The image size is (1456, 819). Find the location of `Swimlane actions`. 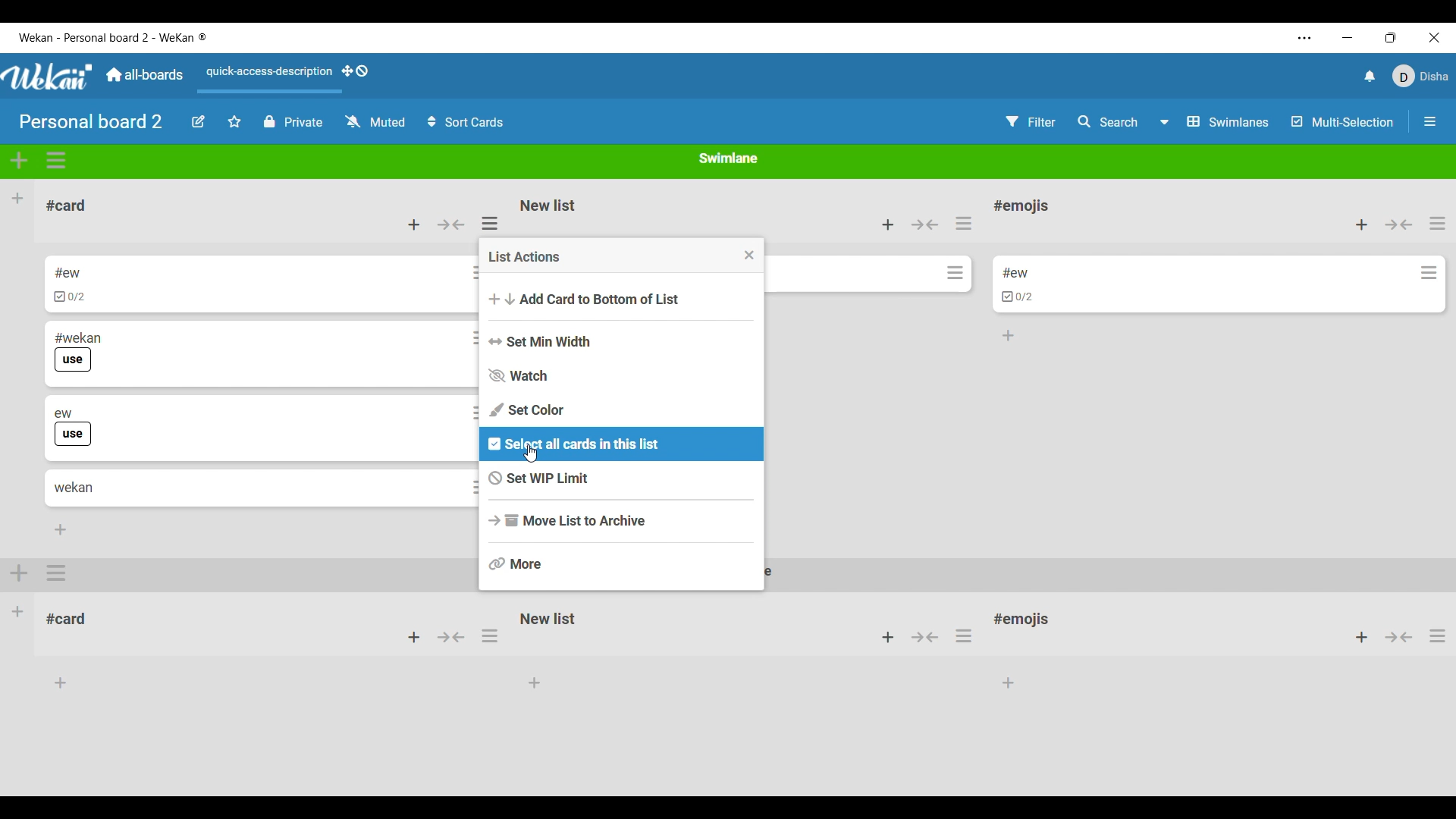

Swimlane actions is located at coordinates (56, 161).